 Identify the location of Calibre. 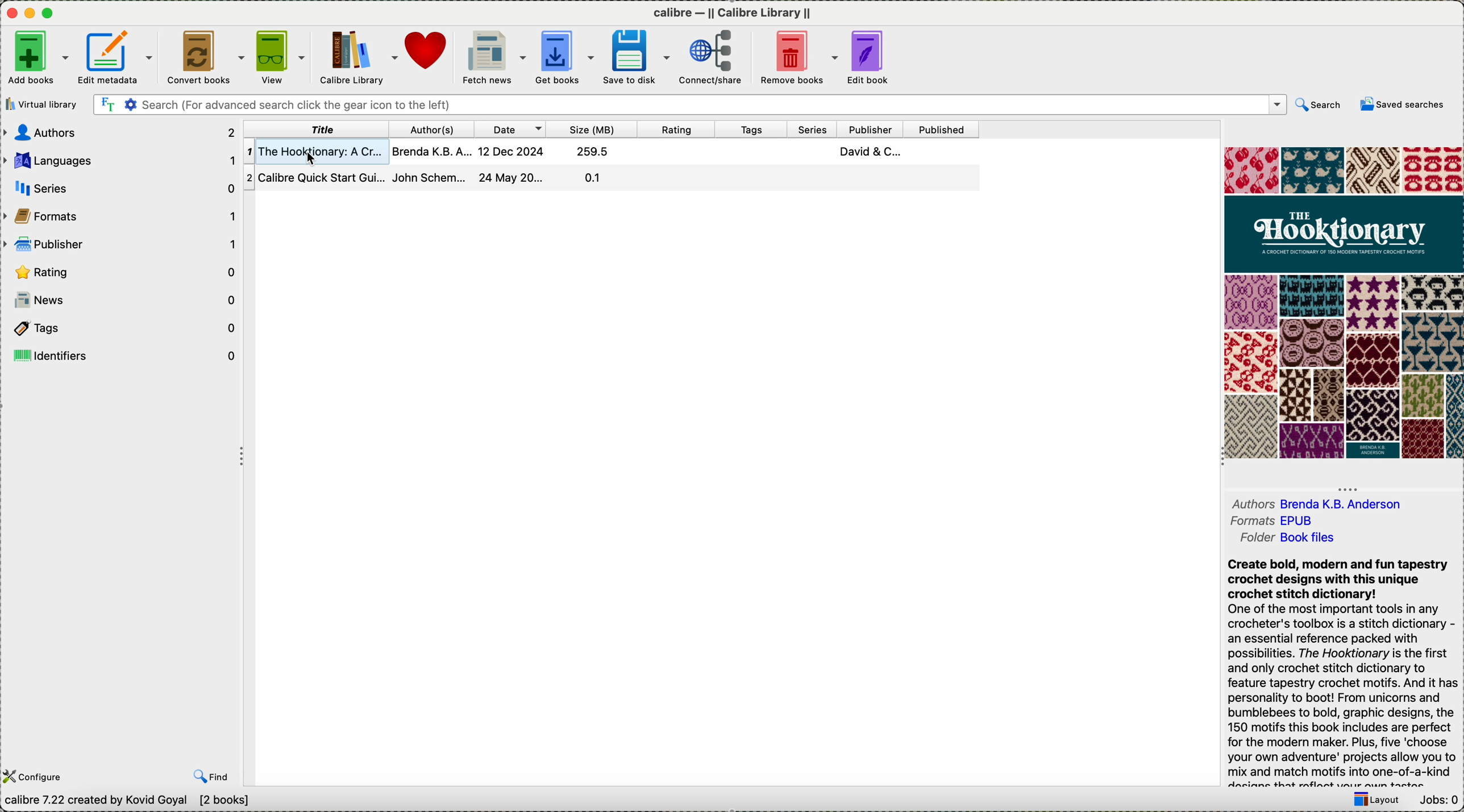
(735, 13).